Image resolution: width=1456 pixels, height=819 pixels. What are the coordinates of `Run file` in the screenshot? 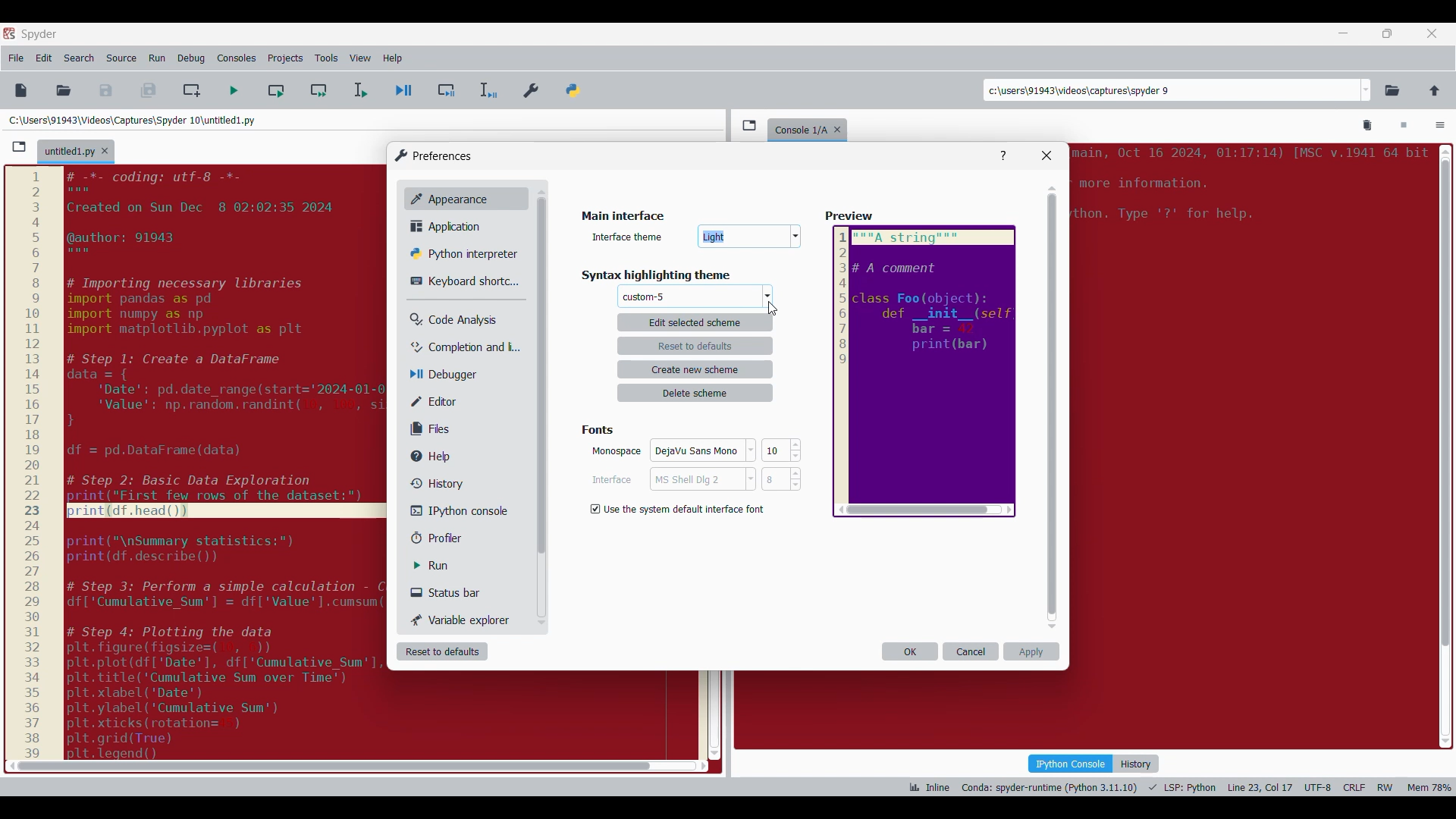 It's located at (234, 90).